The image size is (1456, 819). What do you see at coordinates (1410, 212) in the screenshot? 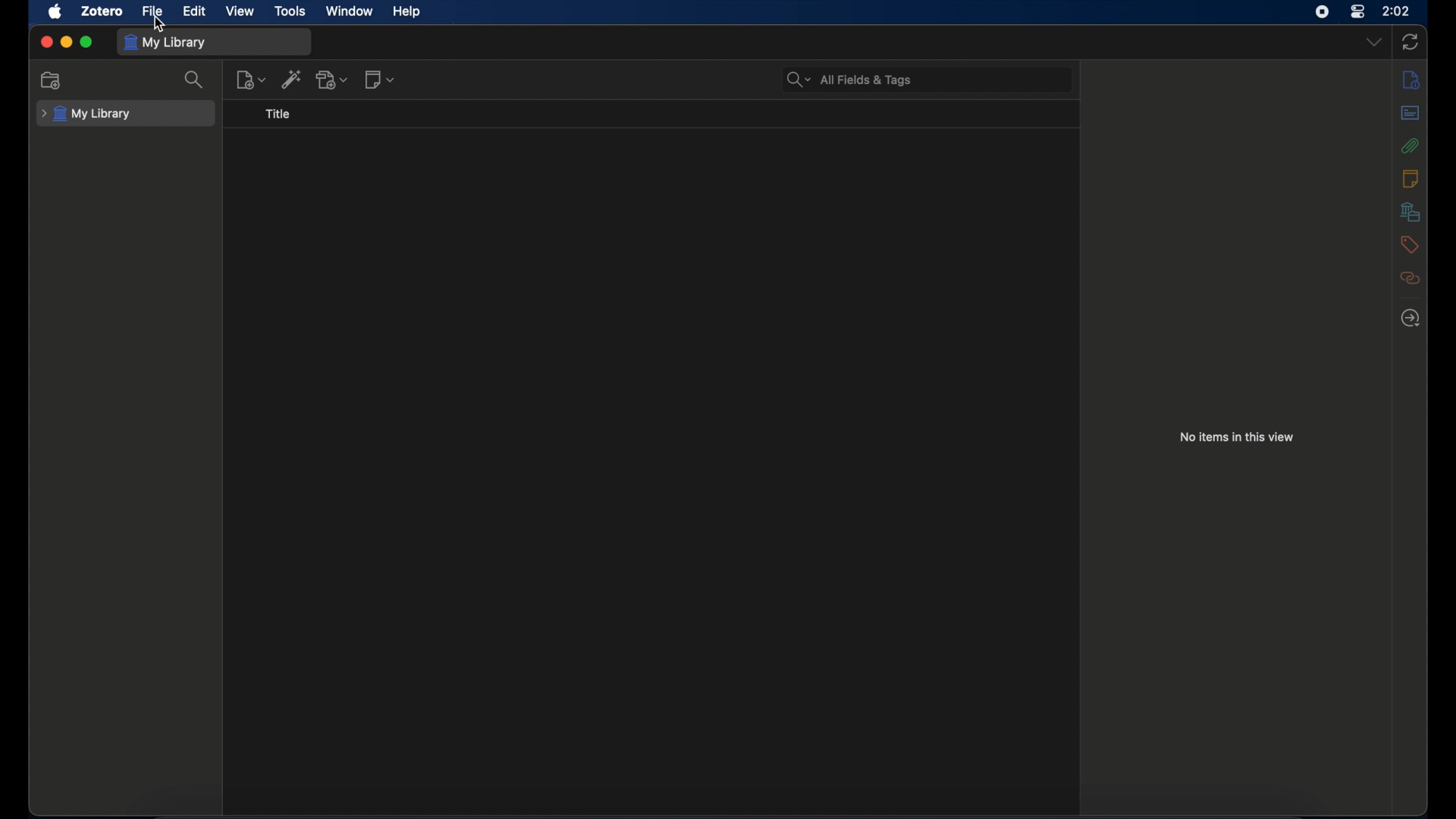
I see `libraries` at bounding box center [1410, 212].